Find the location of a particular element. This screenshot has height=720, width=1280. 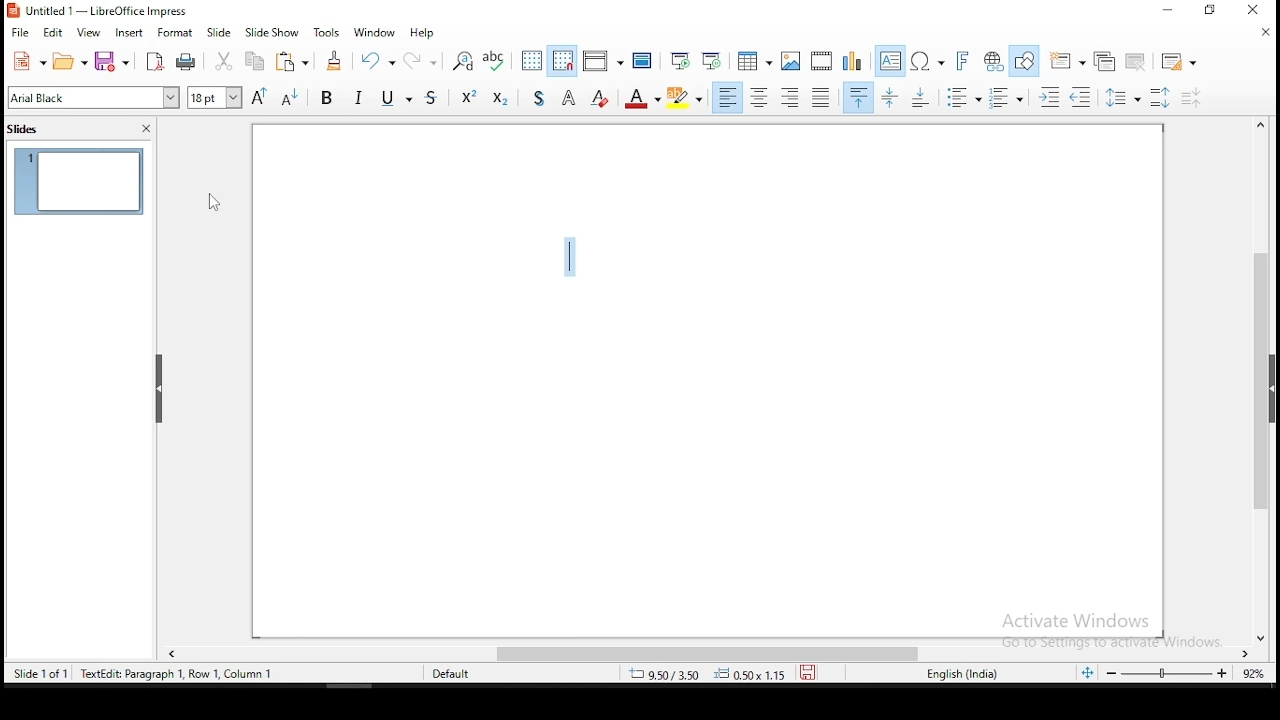

close is located at coordinates (146, 129).